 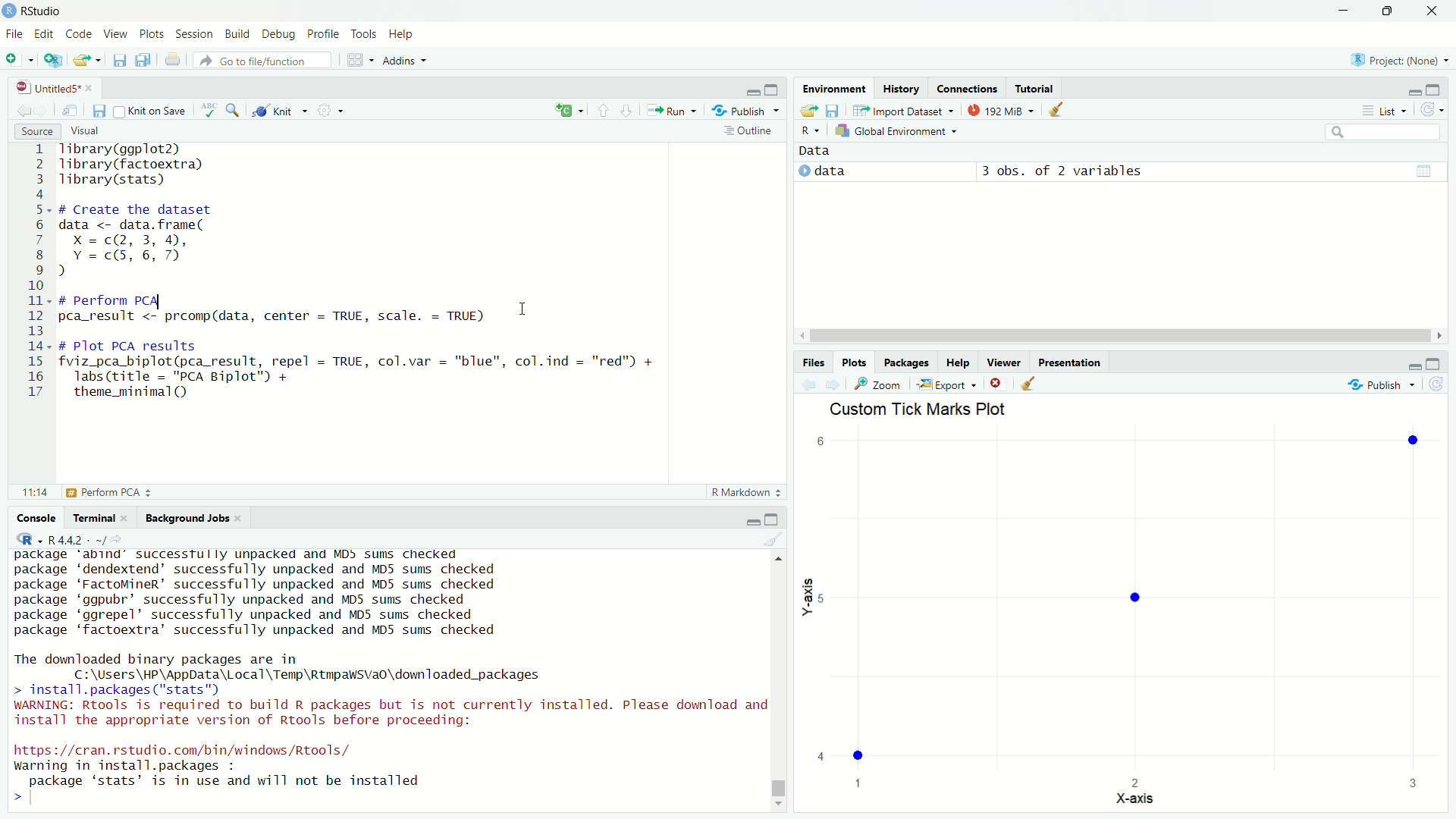 I want to click on maximize, so click(x=774, y=519).